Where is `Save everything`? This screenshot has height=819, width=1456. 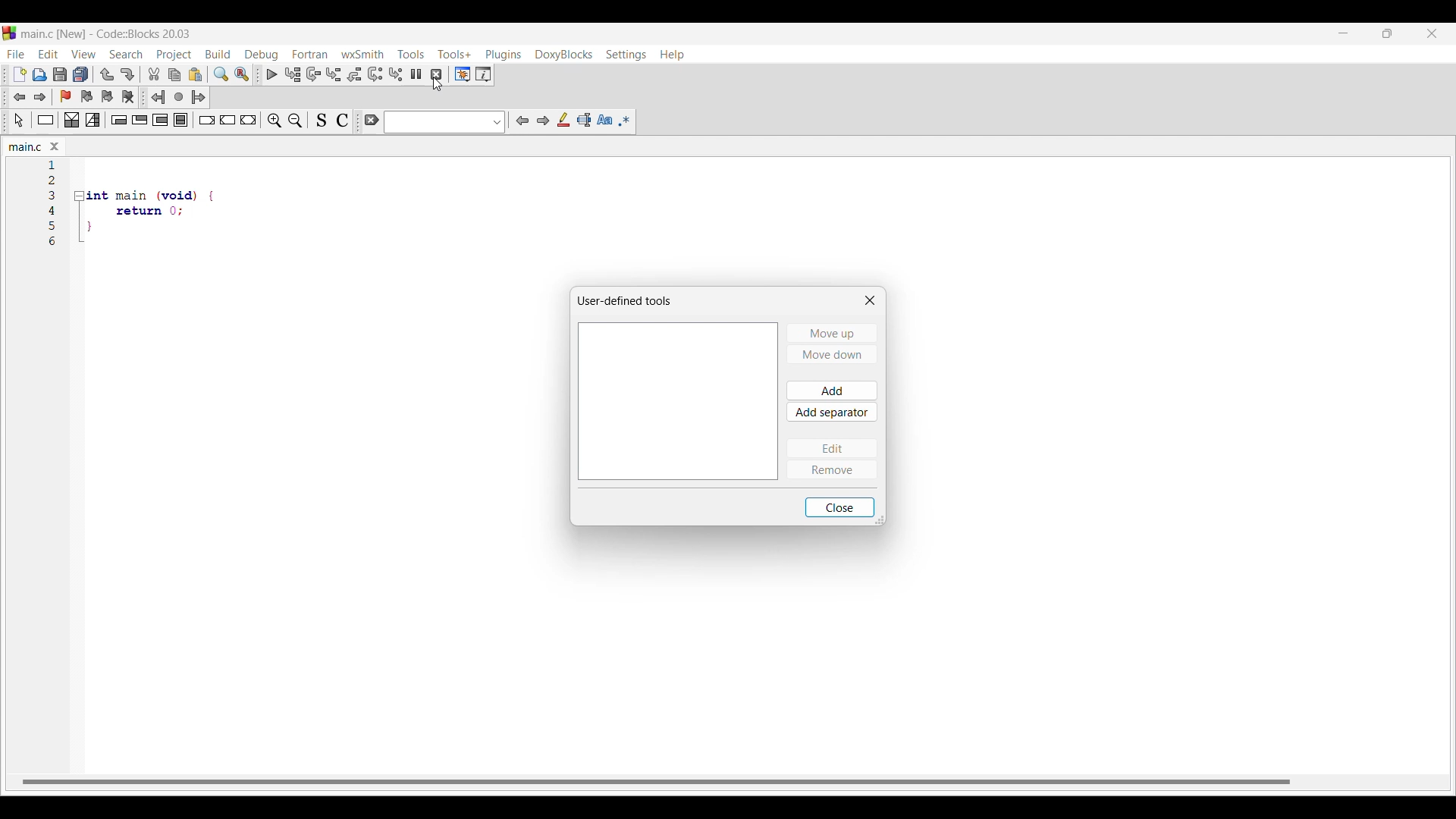
Save everything is located at coordinates (80, 74).